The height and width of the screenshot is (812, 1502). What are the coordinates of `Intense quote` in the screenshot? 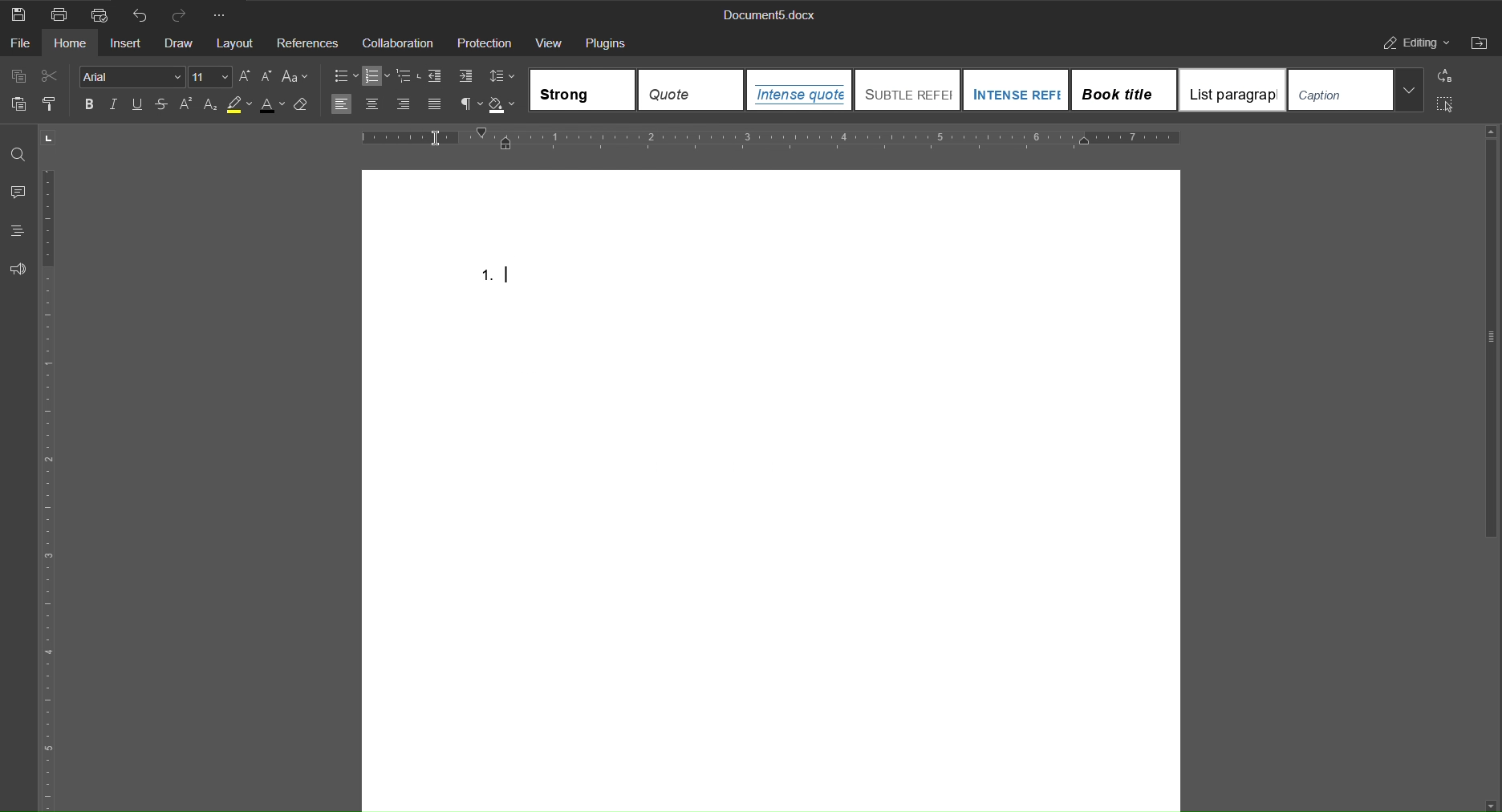 It's located at (800, 90).